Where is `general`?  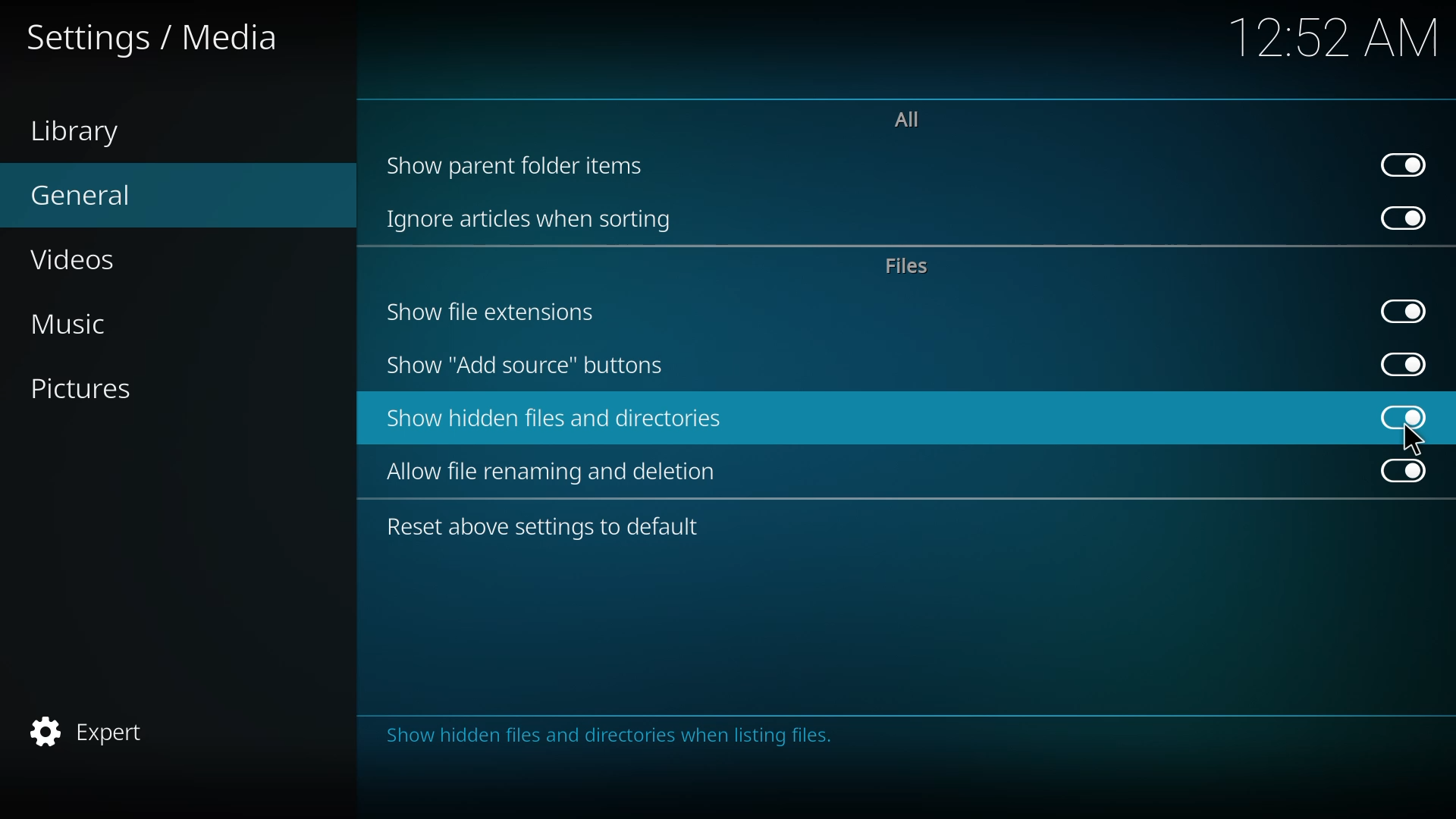
general is located at coordinates (91, 196).